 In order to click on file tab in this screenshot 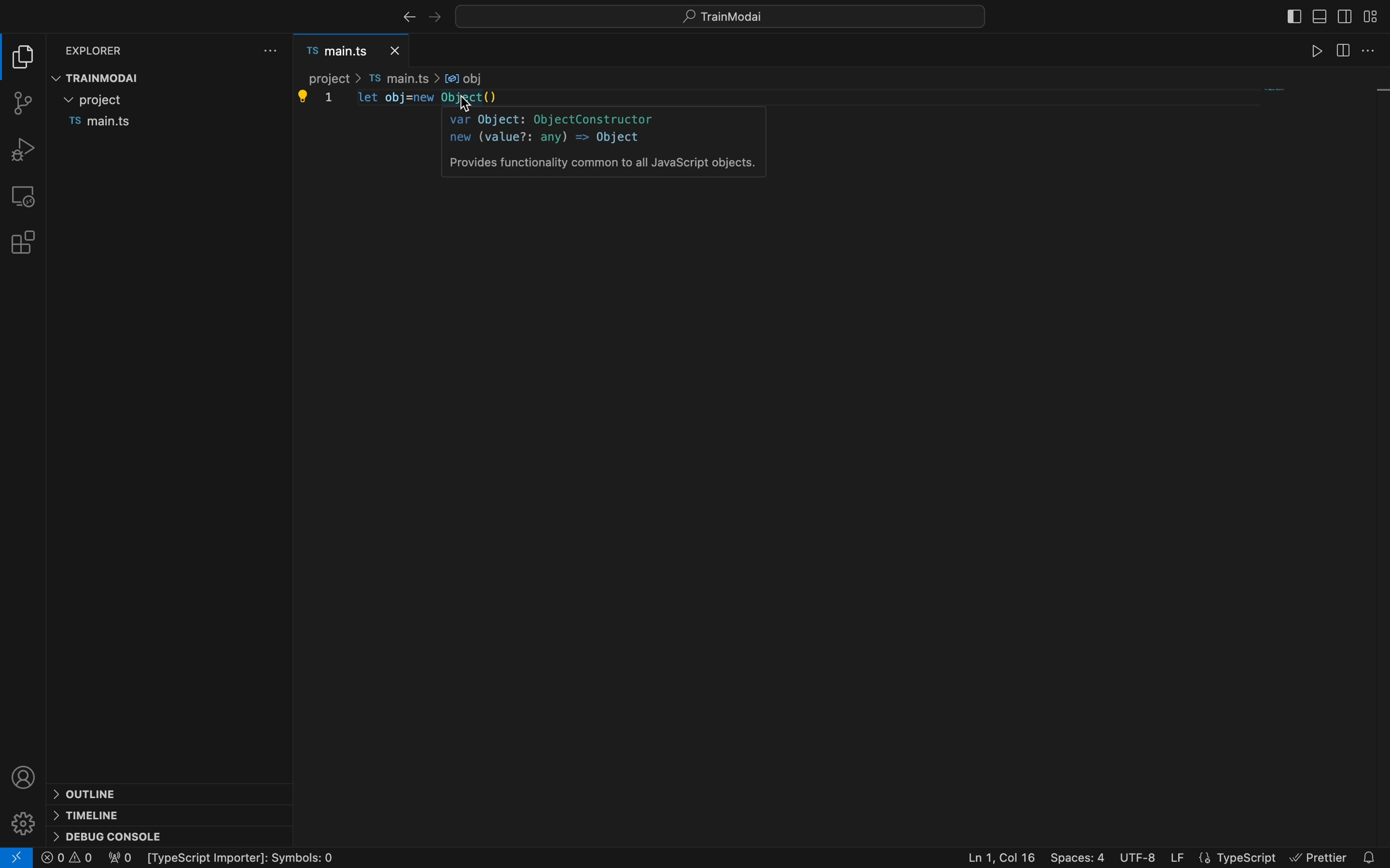, I will do `click(354, 51)`.